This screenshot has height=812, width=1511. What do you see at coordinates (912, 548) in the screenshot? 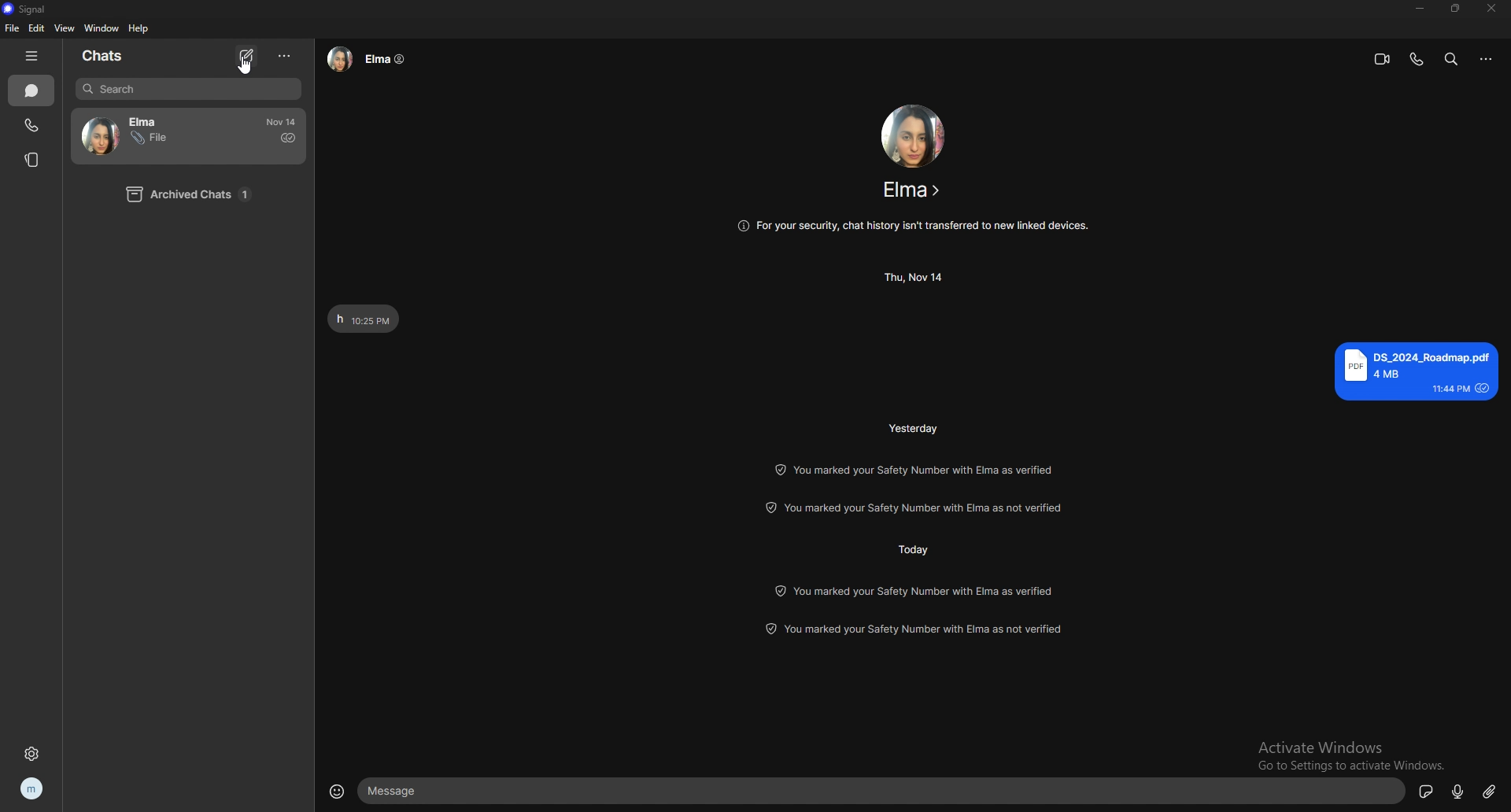
I see `time` at bounding box center [912, 548].